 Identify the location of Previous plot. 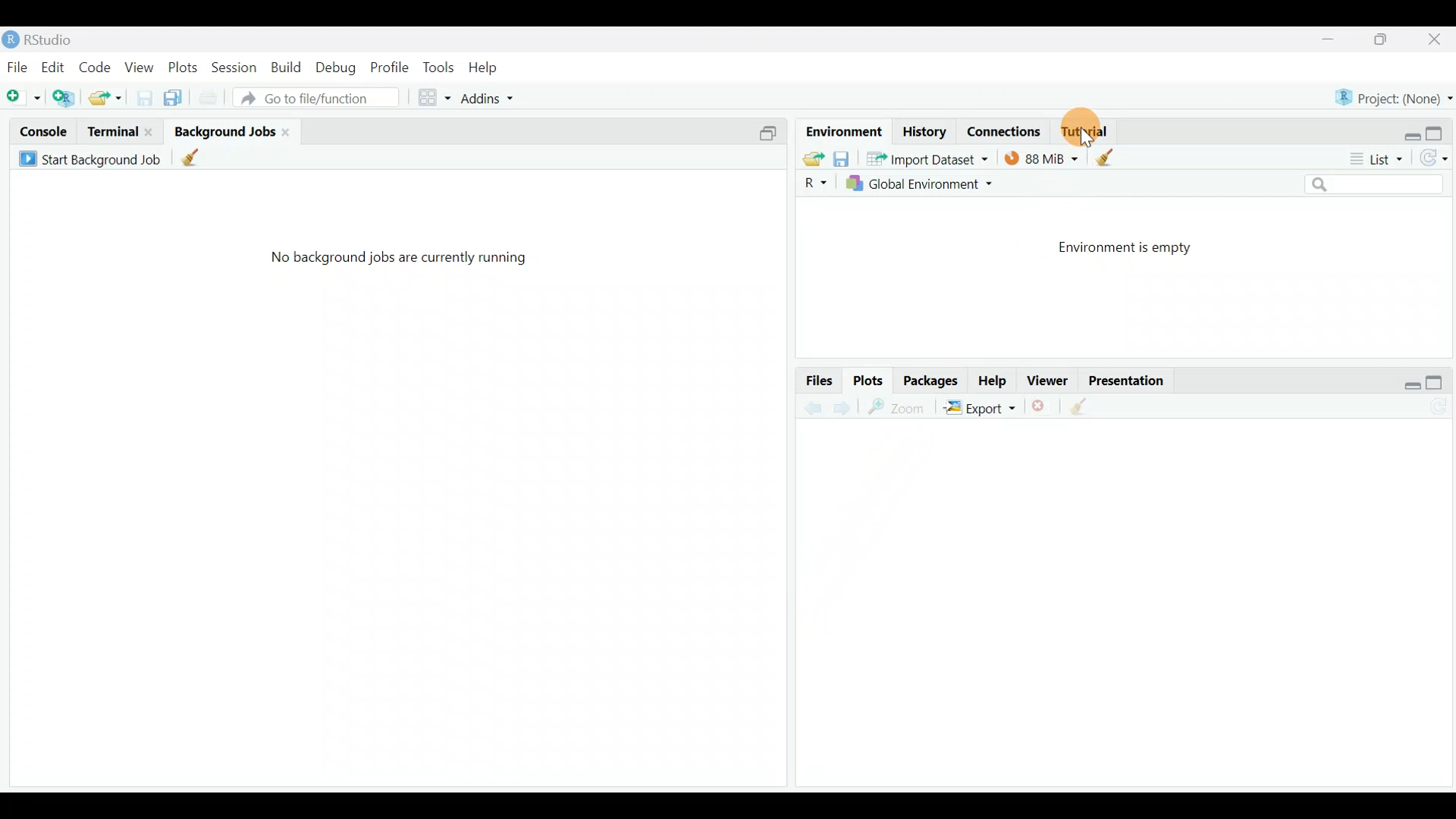
(806, 407).